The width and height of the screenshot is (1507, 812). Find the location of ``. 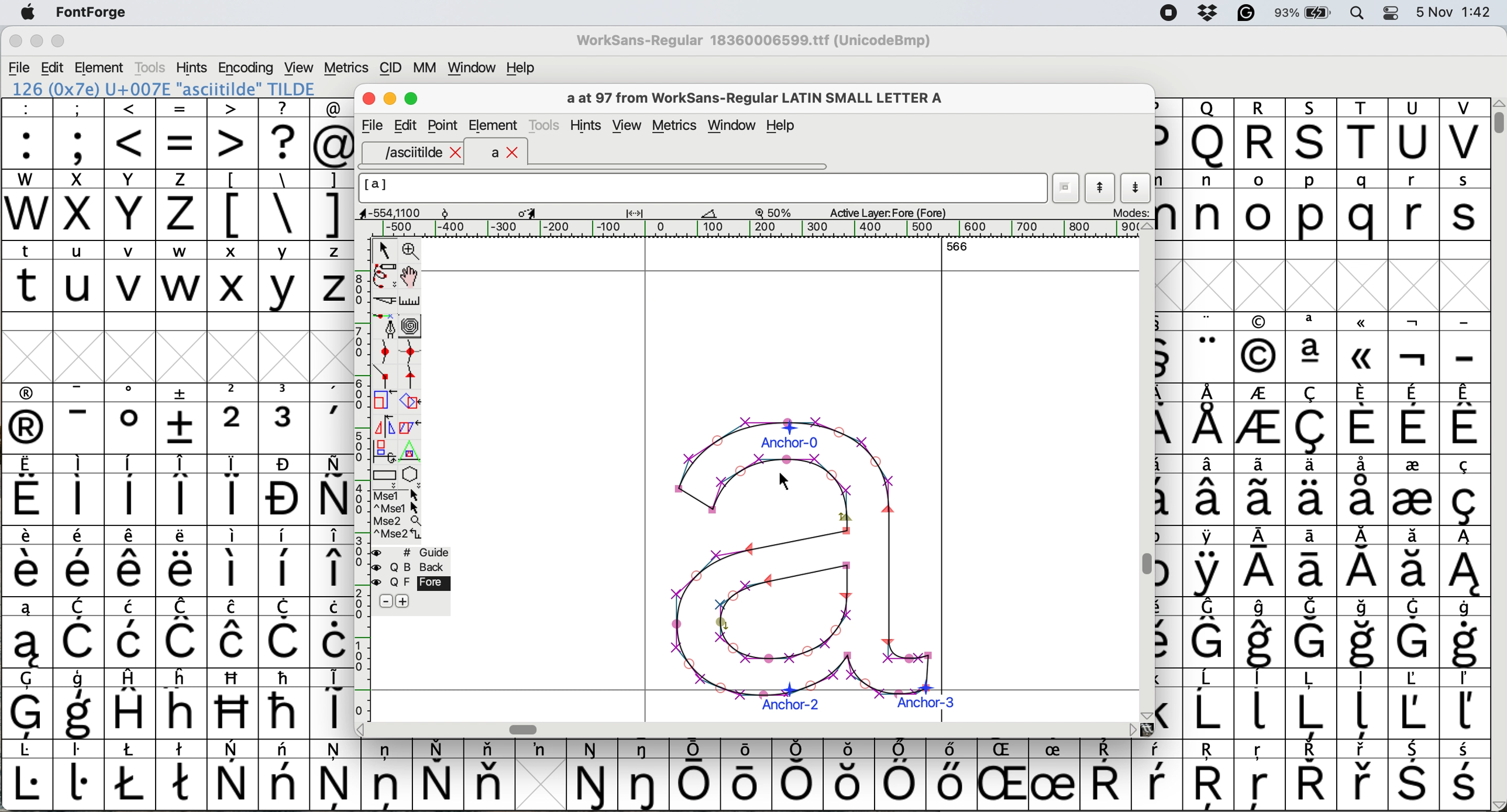

 is located at coordinates (1364, 347).